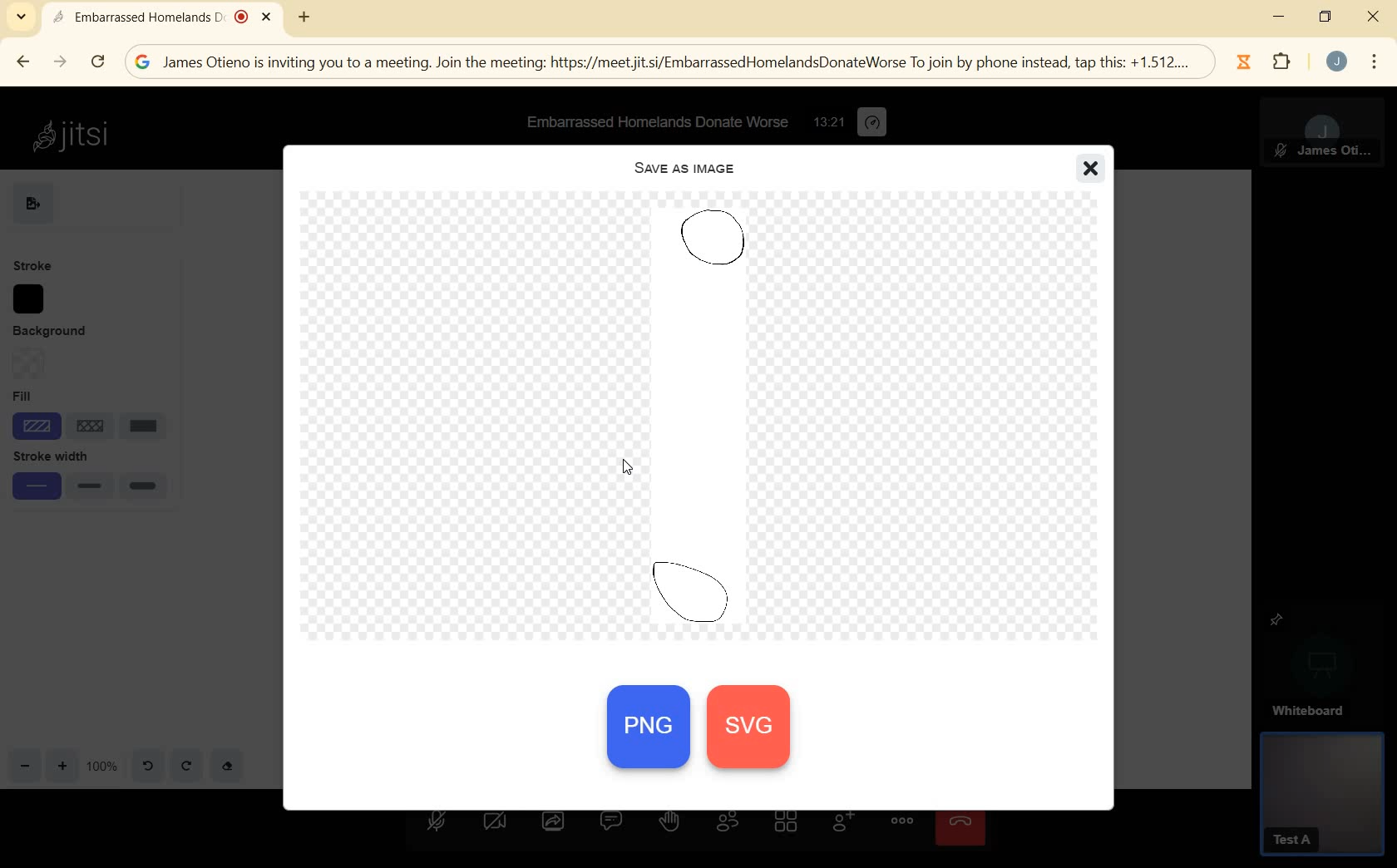 This screenshot has height=868, width=1397. Describe the element at coordinates (1321, 798) in the screenshot. I see `GUEST PANEL VIEW` at that location.